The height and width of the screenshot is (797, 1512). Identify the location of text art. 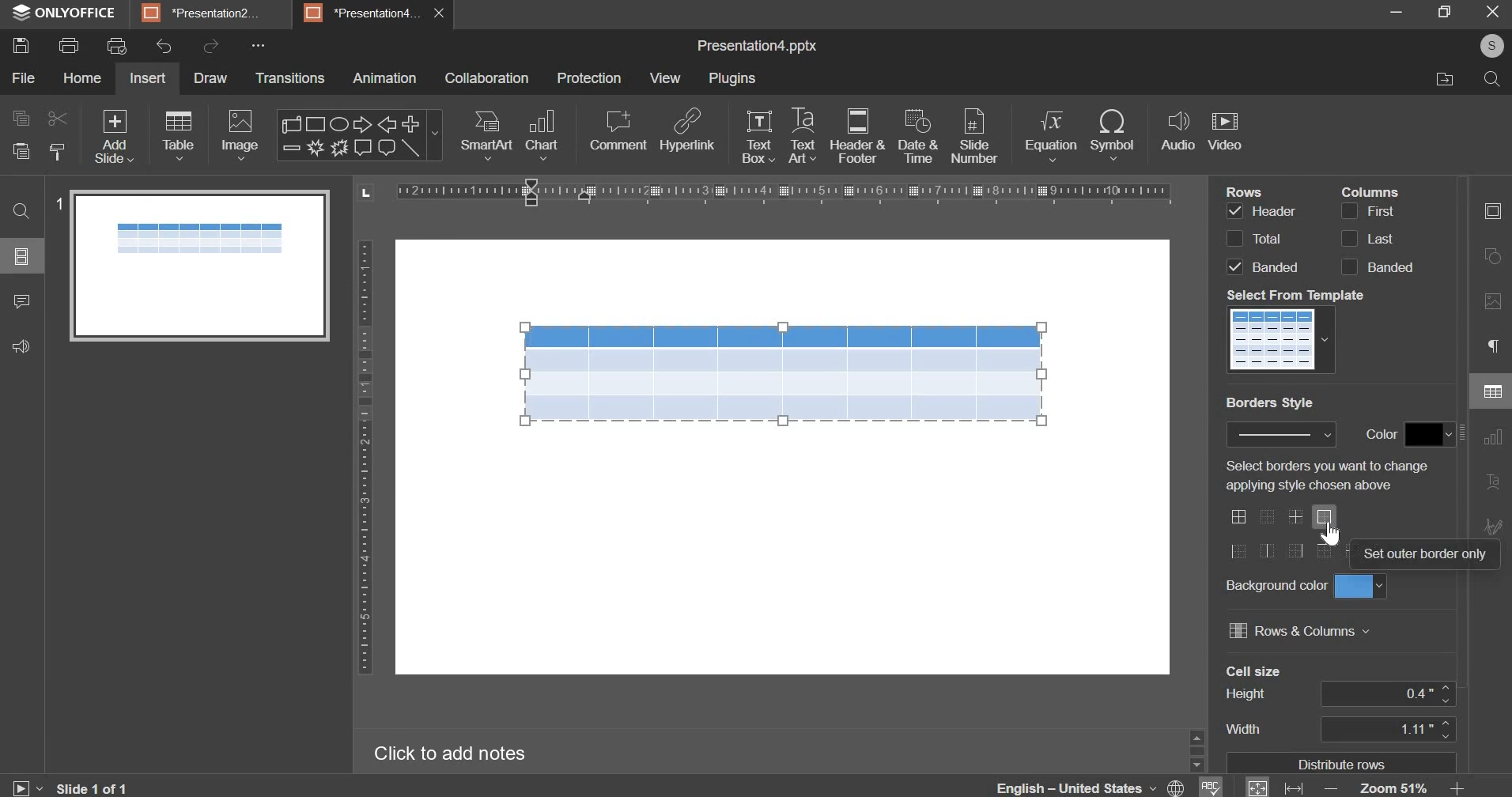
(802, 134).